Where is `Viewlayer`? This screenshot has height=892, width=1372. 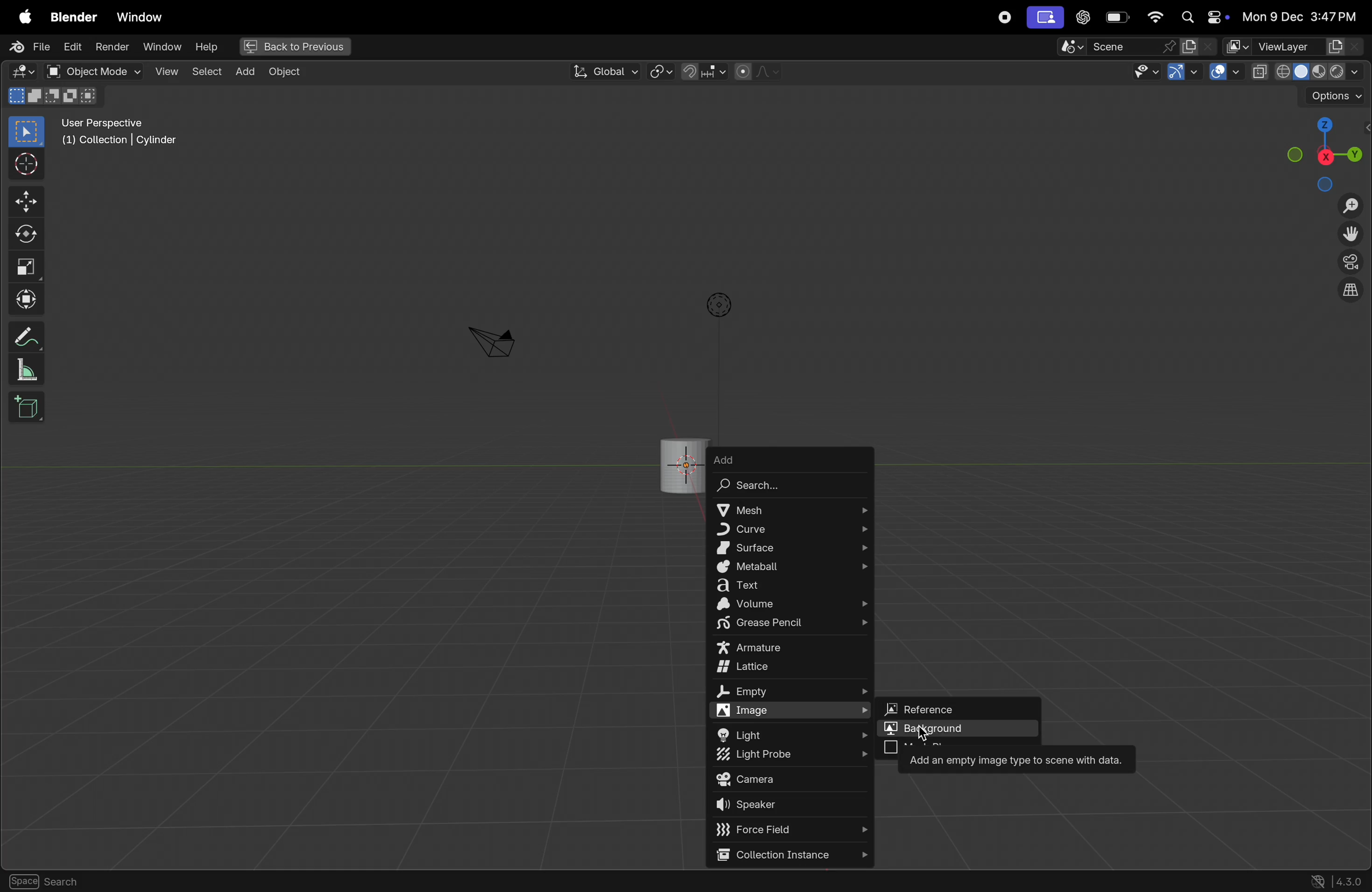 Viewlayer is located at coordinates (1295, 47).